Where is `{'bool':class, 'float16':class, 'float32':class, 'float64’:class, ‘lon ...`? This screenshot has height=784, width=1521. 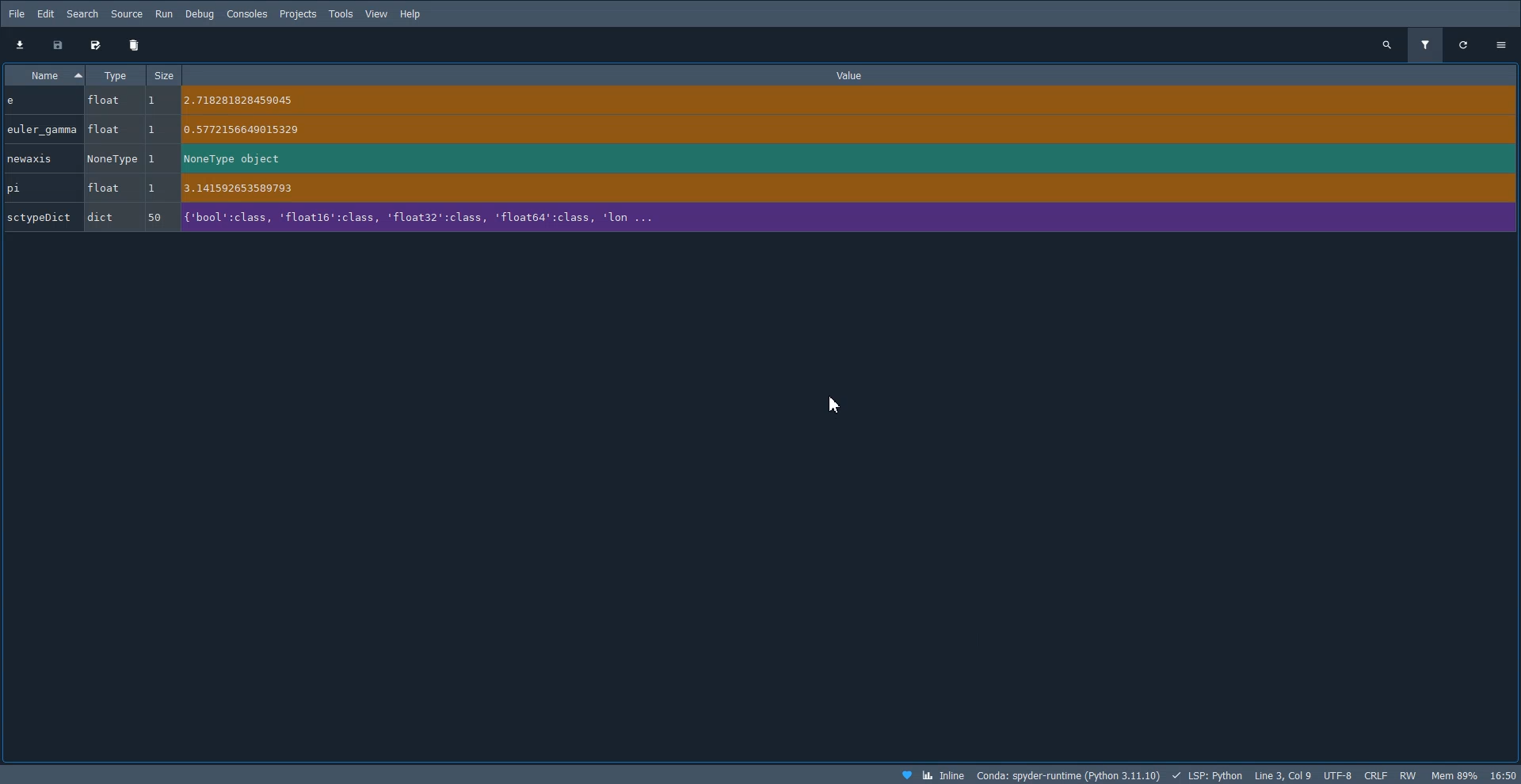 {'bool':class, 'float16':class, 'float32':class, 'float64’:class, ‘lon ... is located at coordinates (428, 219).